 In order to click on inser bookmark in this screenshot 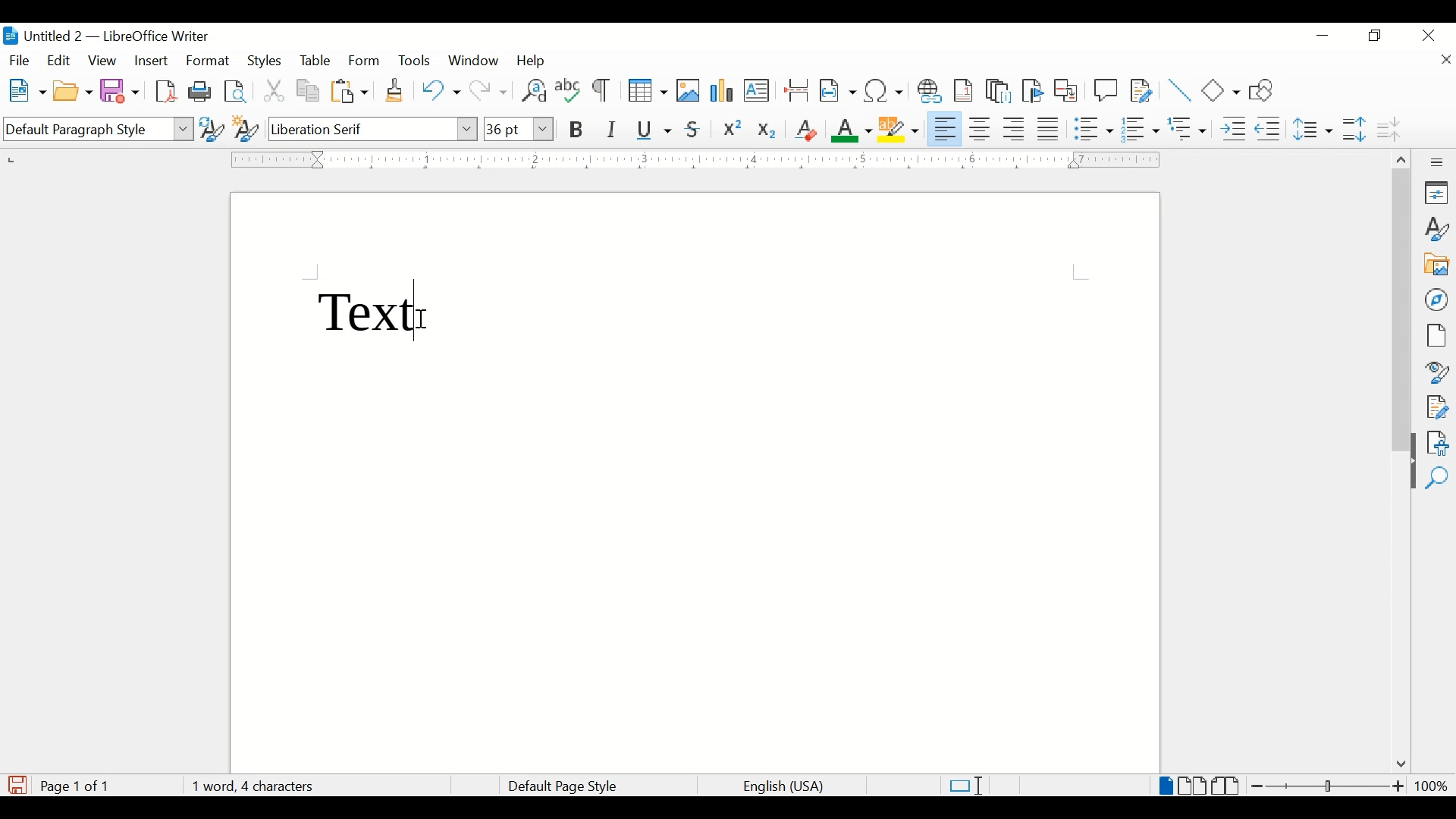, I will do `click(1032, 91)`.